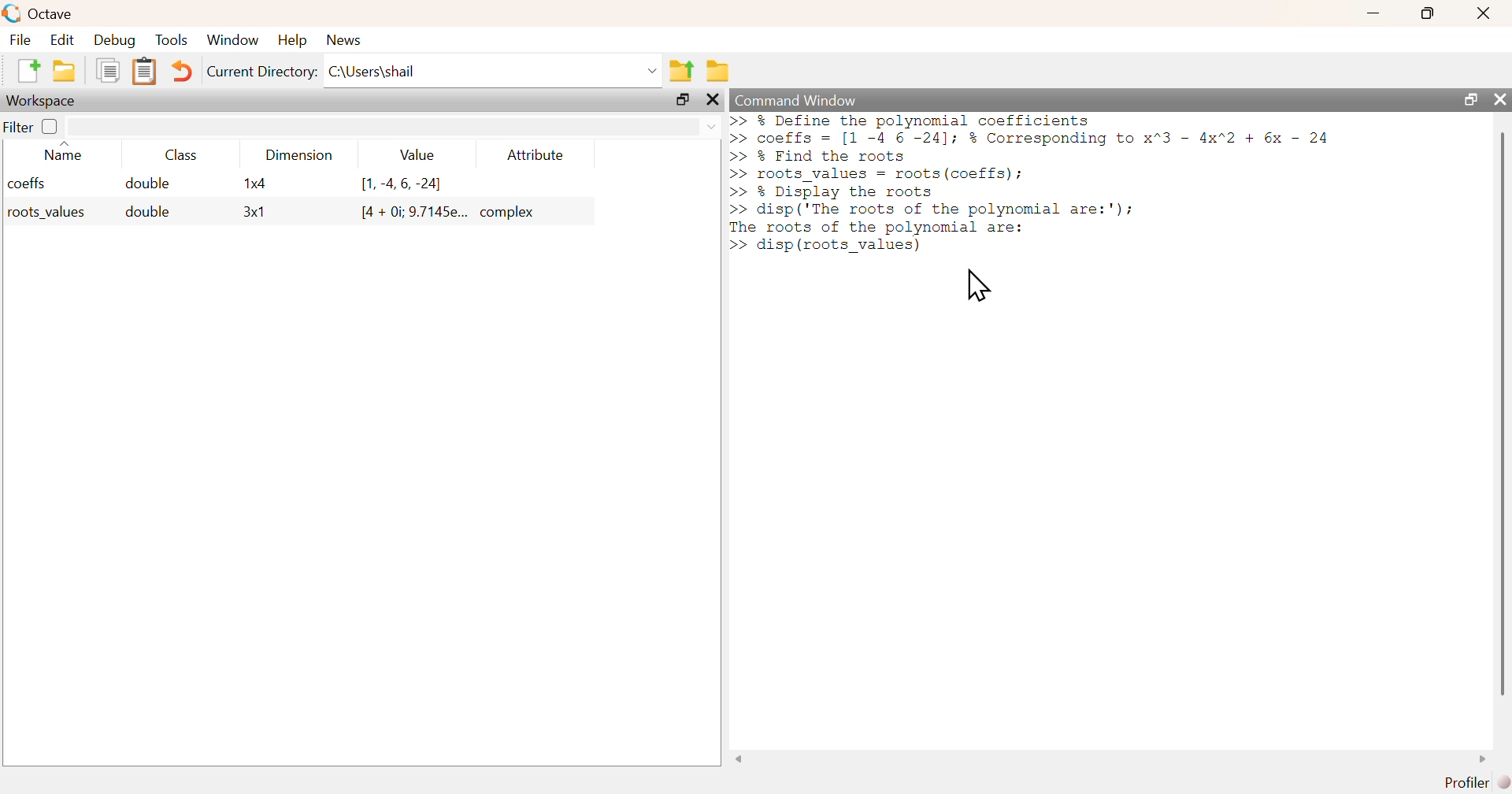  Describe the element at coordinates (372, 71) in the screenshot. I see `C:\Users\shail` at that location.